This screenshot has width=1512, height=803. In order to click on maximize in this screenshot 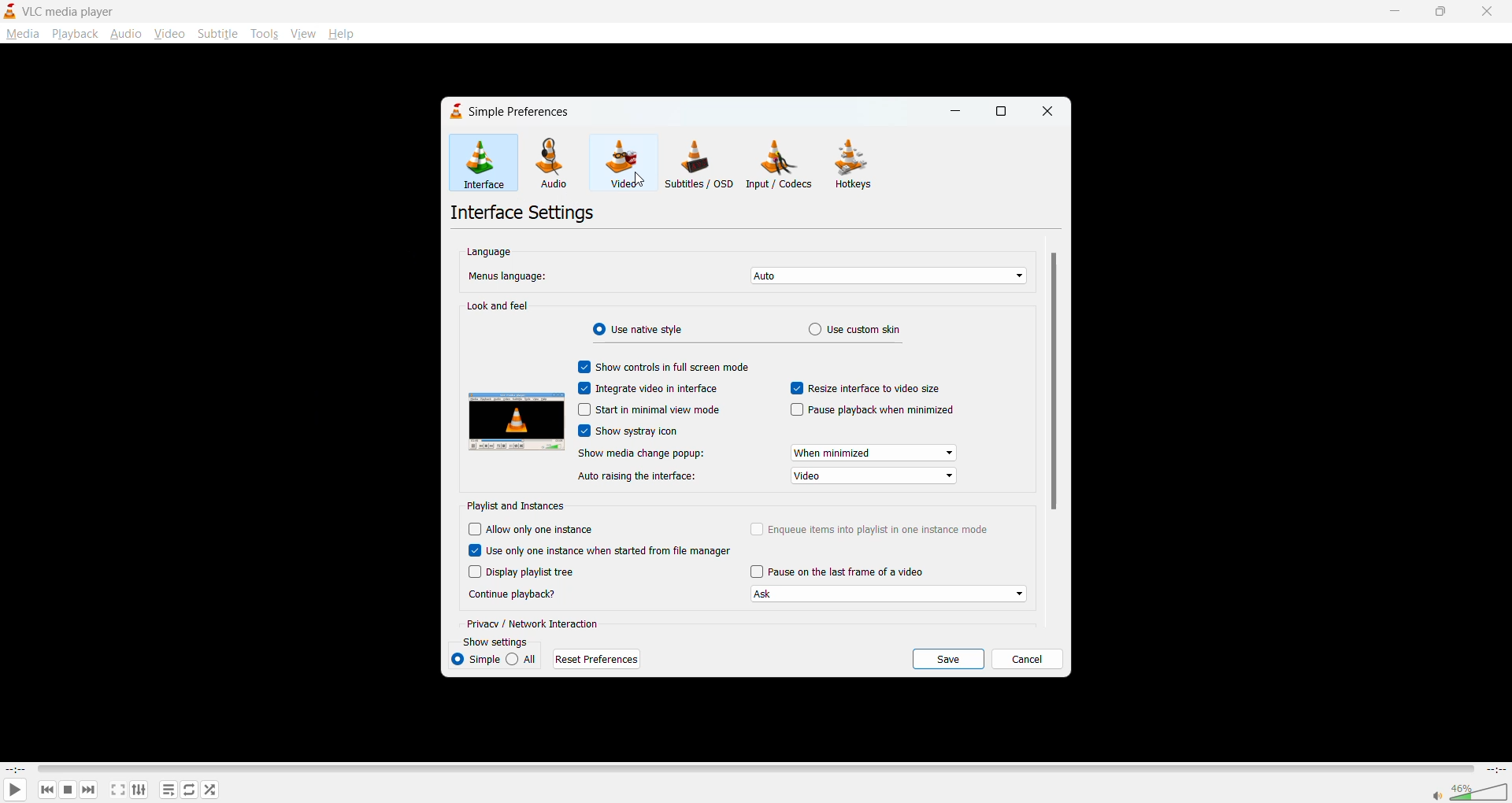, I will do `click(1006, 112)`.